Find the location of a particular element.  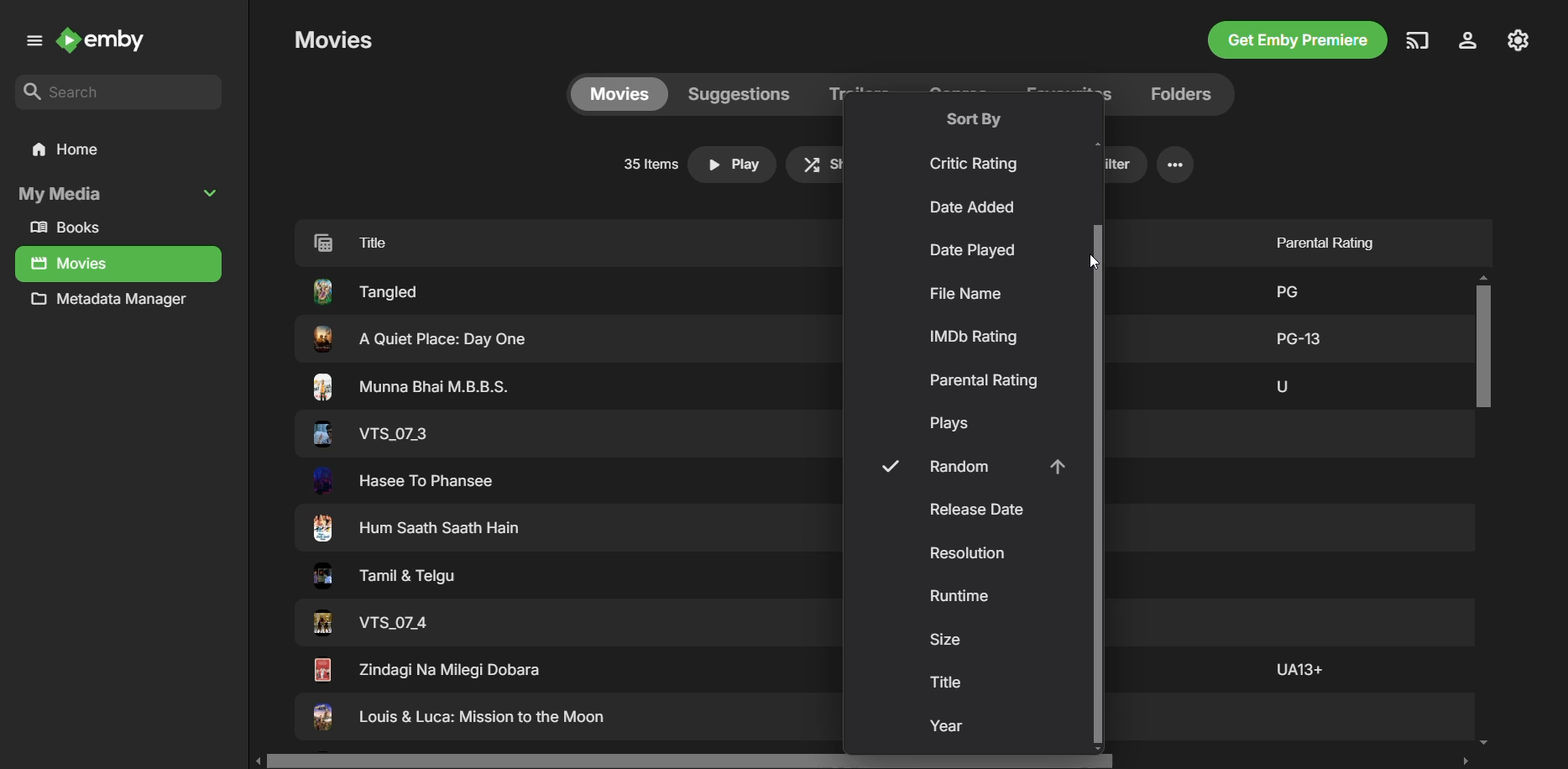

Title is located at coordinates (948, 682).